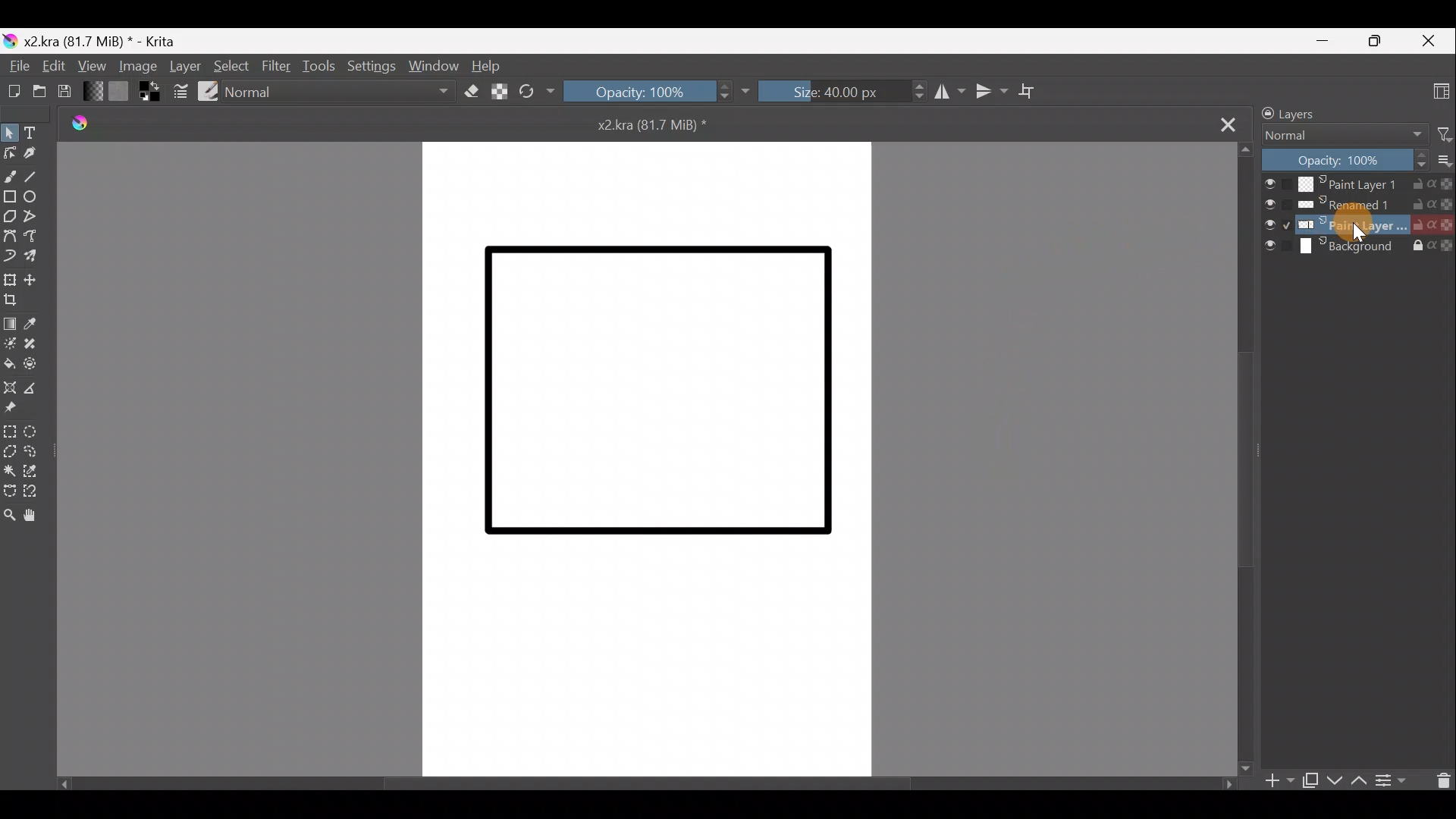 This screenshot has width=1456, height=819. What do you see at coordinates (1336, 779) in the screenshot?
I see `Move layer/mask down` at bounding box center [1336, 779].